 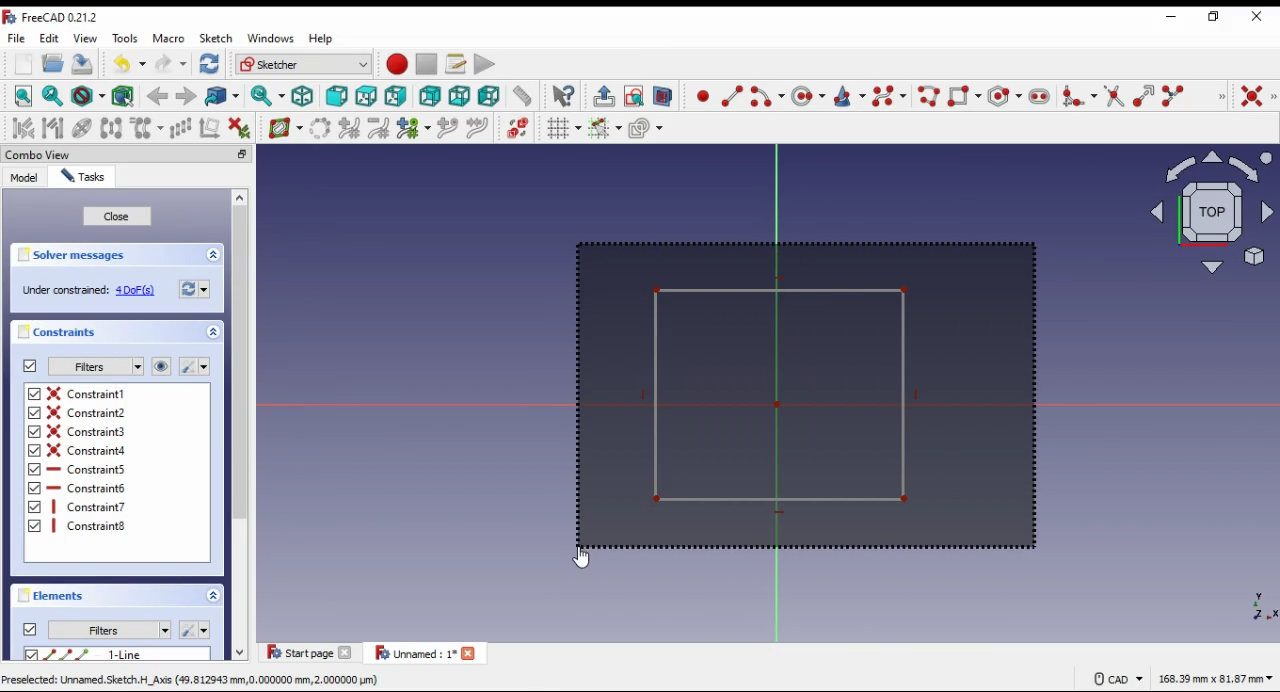 I want to click on undo, so click(x=130, y=64).